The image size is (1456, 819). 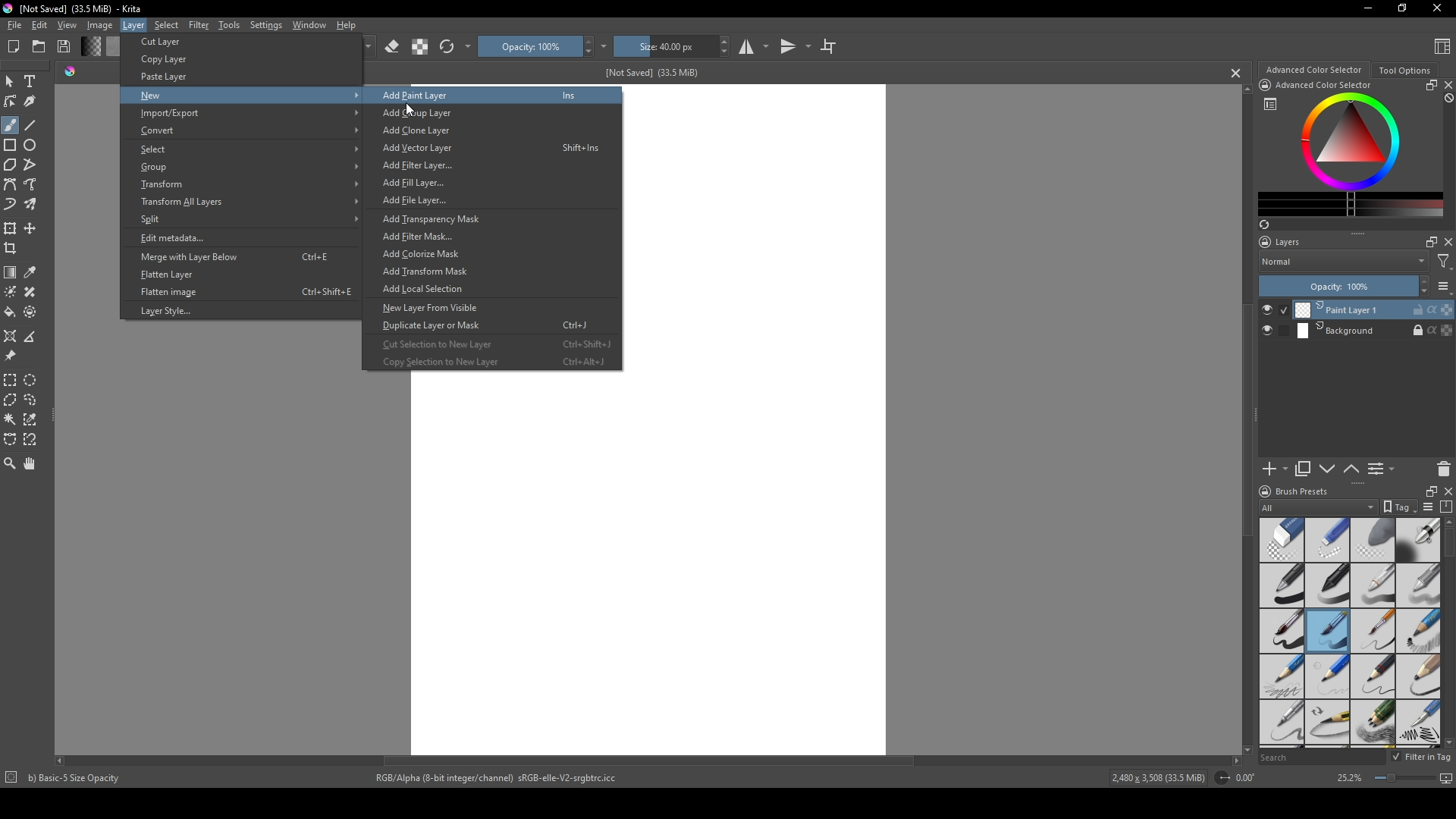 I want to click on Text, so click(x=33, y=83).